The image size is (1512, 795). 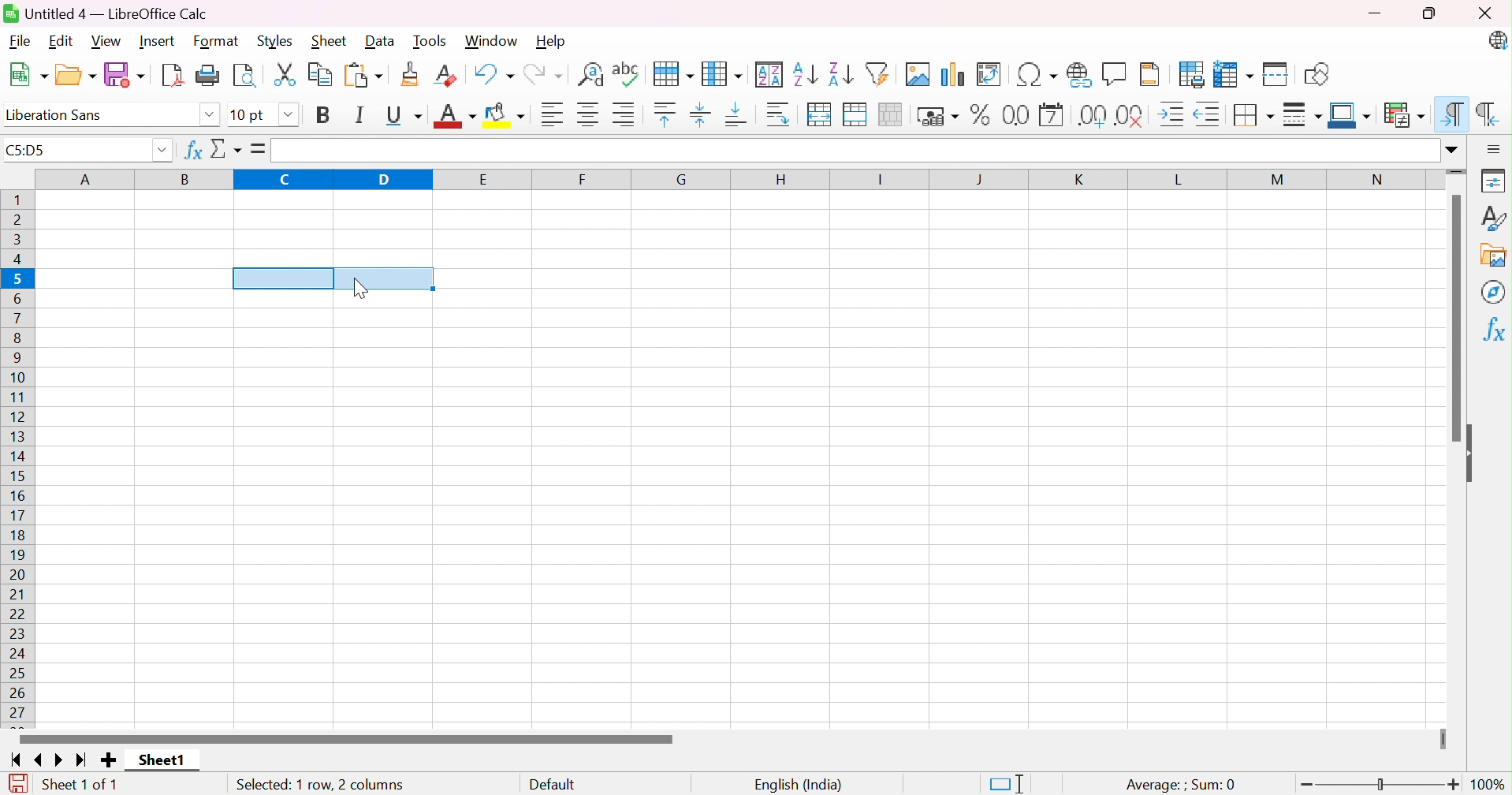 What do you see at coordinates (626, 74) in the screenshot?
I see `Spelling` at bounding box center [626, 74].